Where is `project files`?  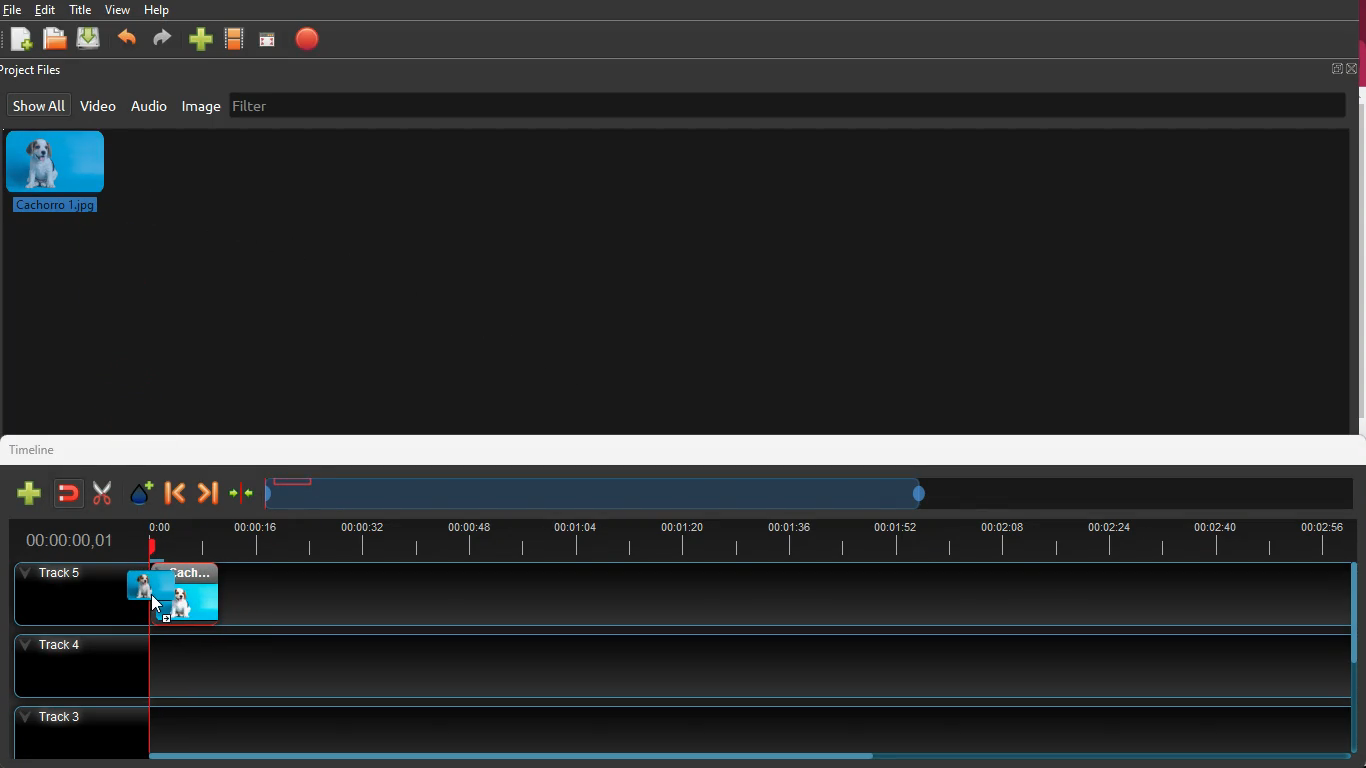 project files is located at coordinates (36, 71).